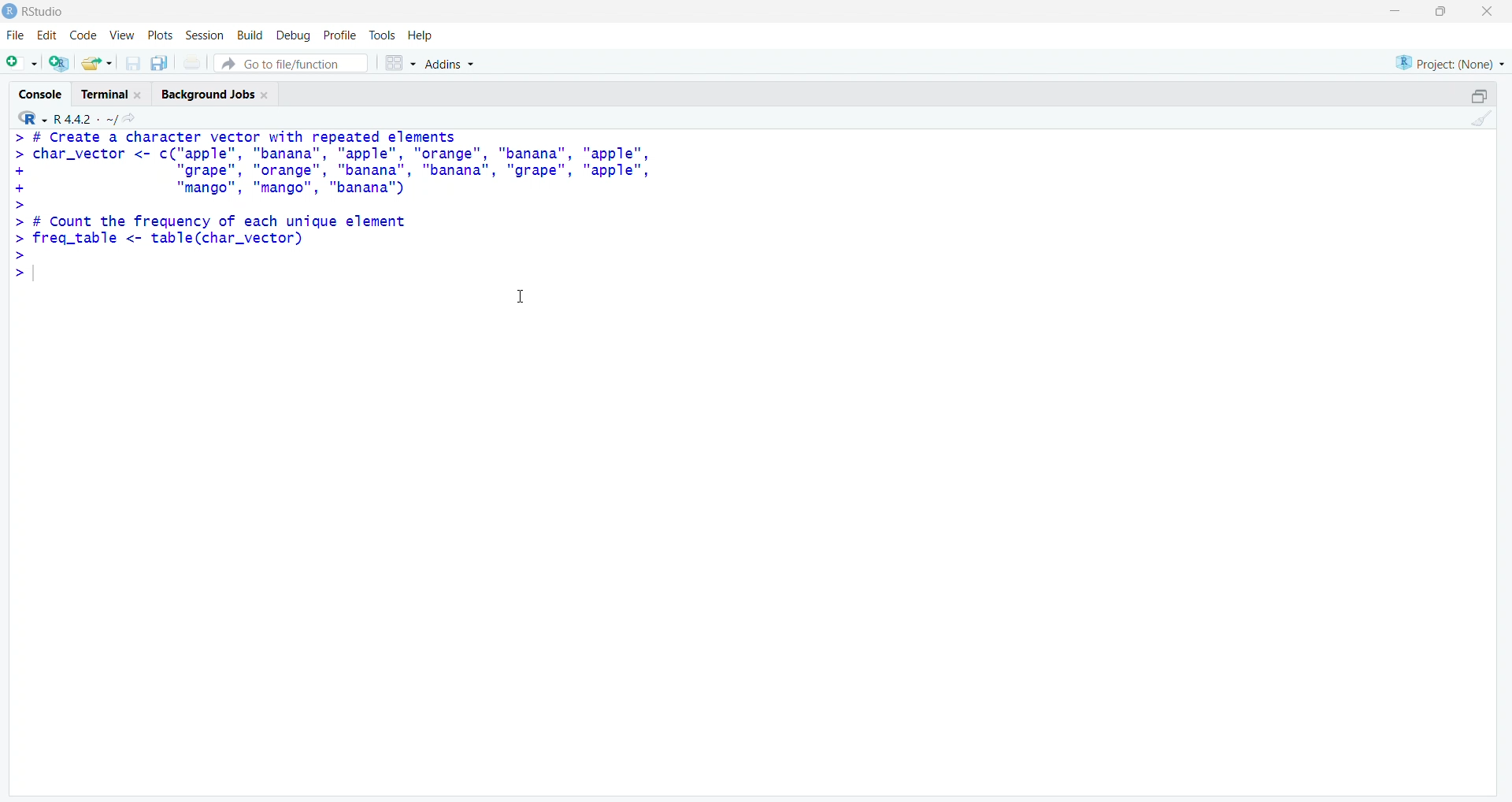 The height and width of the screenshot is (802, 1512). What do you see at coordinates (14, 35) in the screenshot?
I see `File` at bounding box center [14, 35].